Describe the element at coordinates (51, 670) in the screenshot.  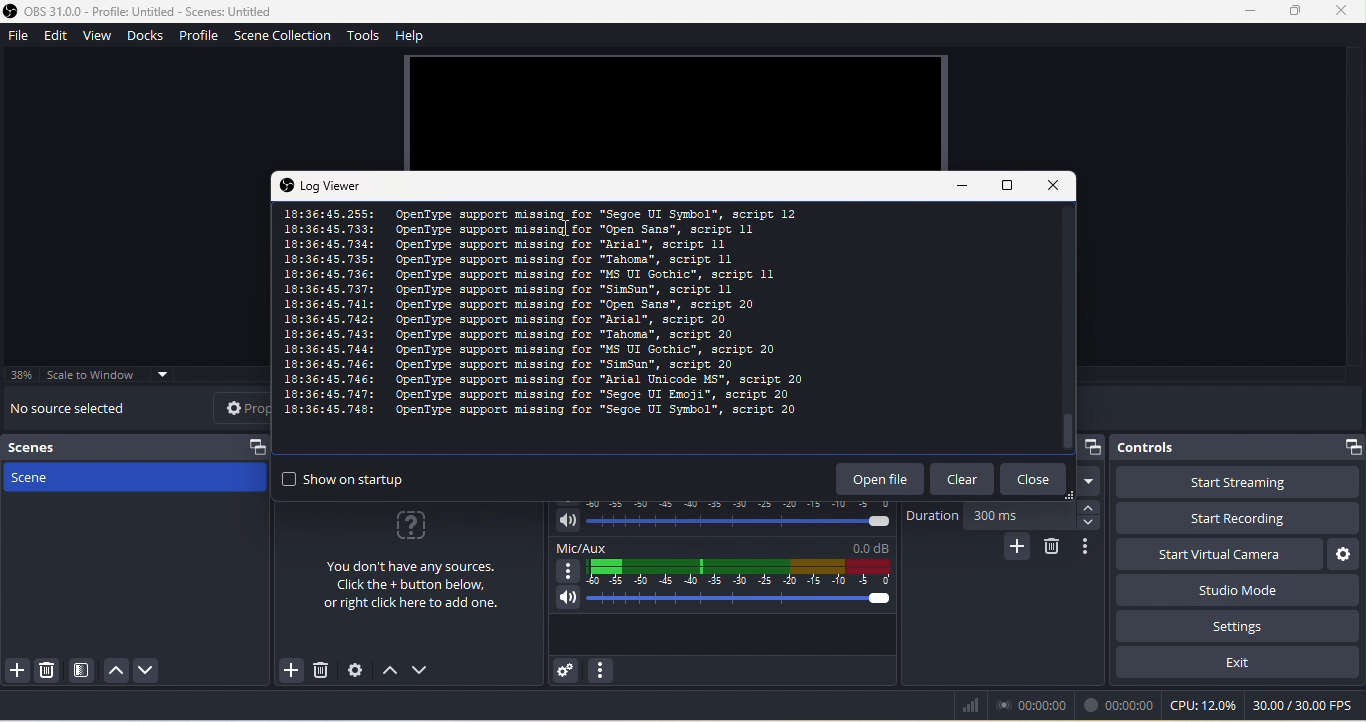
I see `remove selected scene` at that location.